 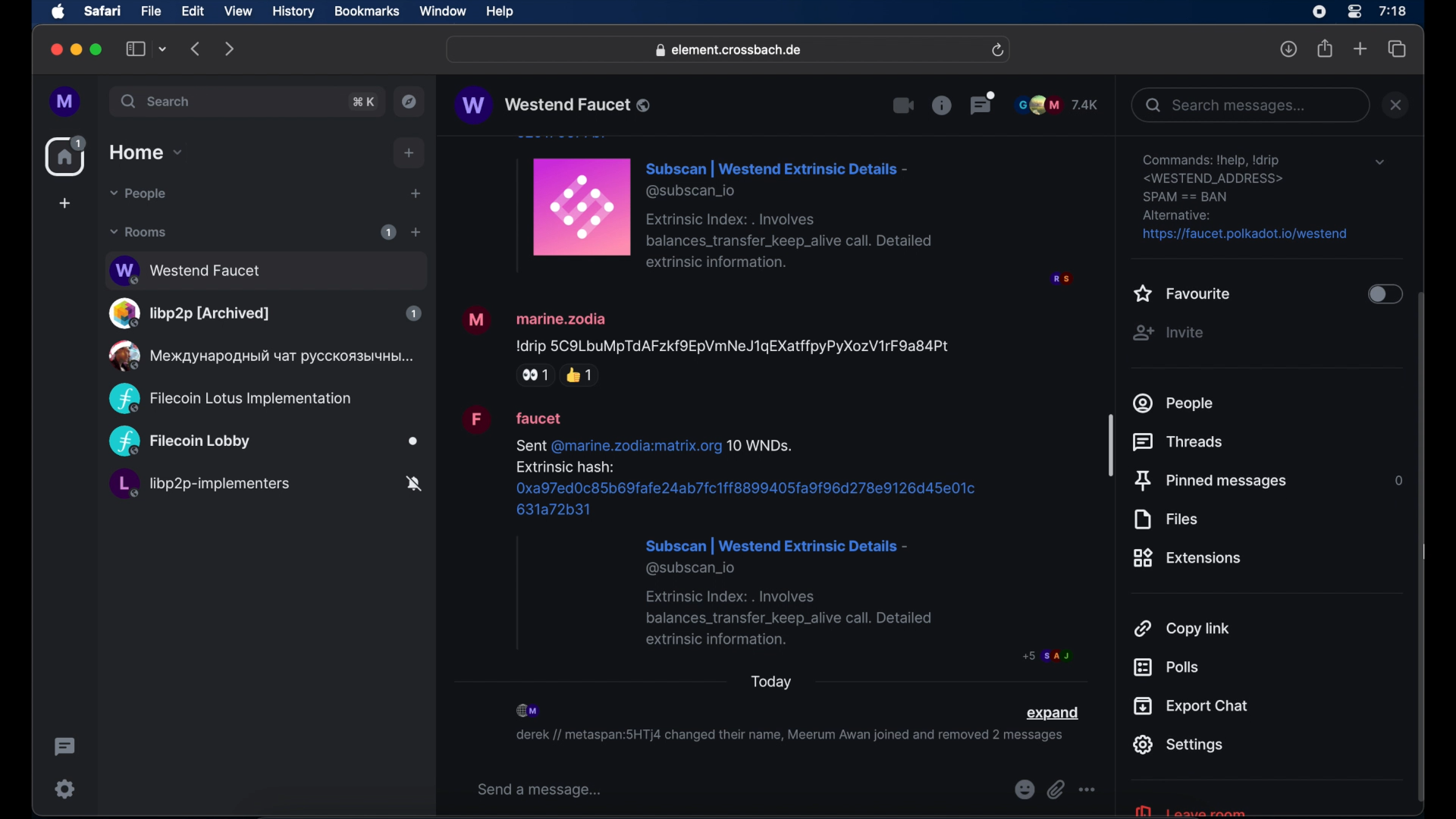 What do you see at coordinates (230, 49) in the screenshot?
I see `forward` at bounding box center [230, 49].